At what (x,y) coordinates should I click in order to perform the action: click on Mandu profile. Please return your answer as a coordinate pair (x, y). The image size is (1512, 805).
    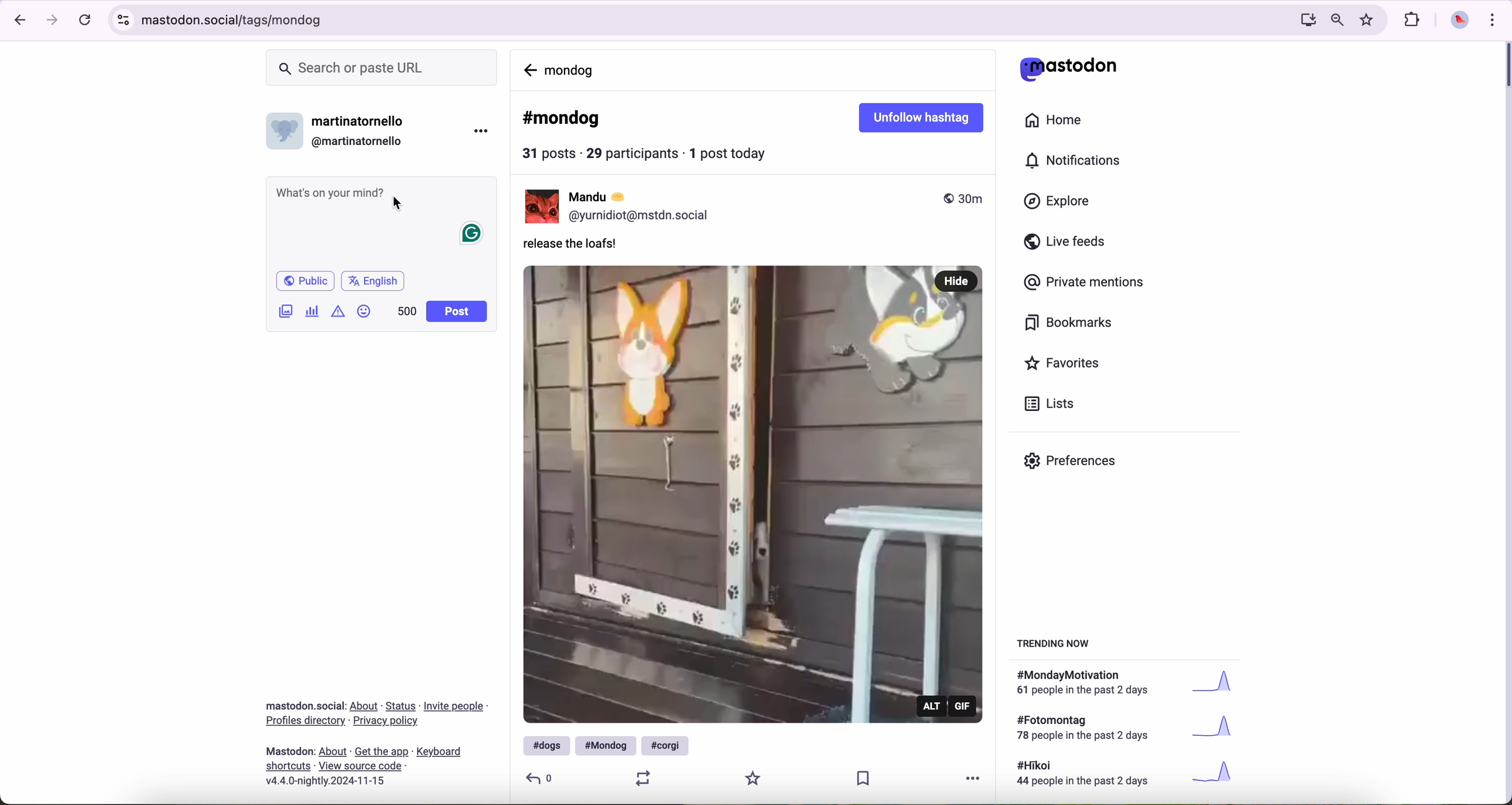
    Looking at the image, I should click on (539, 207).